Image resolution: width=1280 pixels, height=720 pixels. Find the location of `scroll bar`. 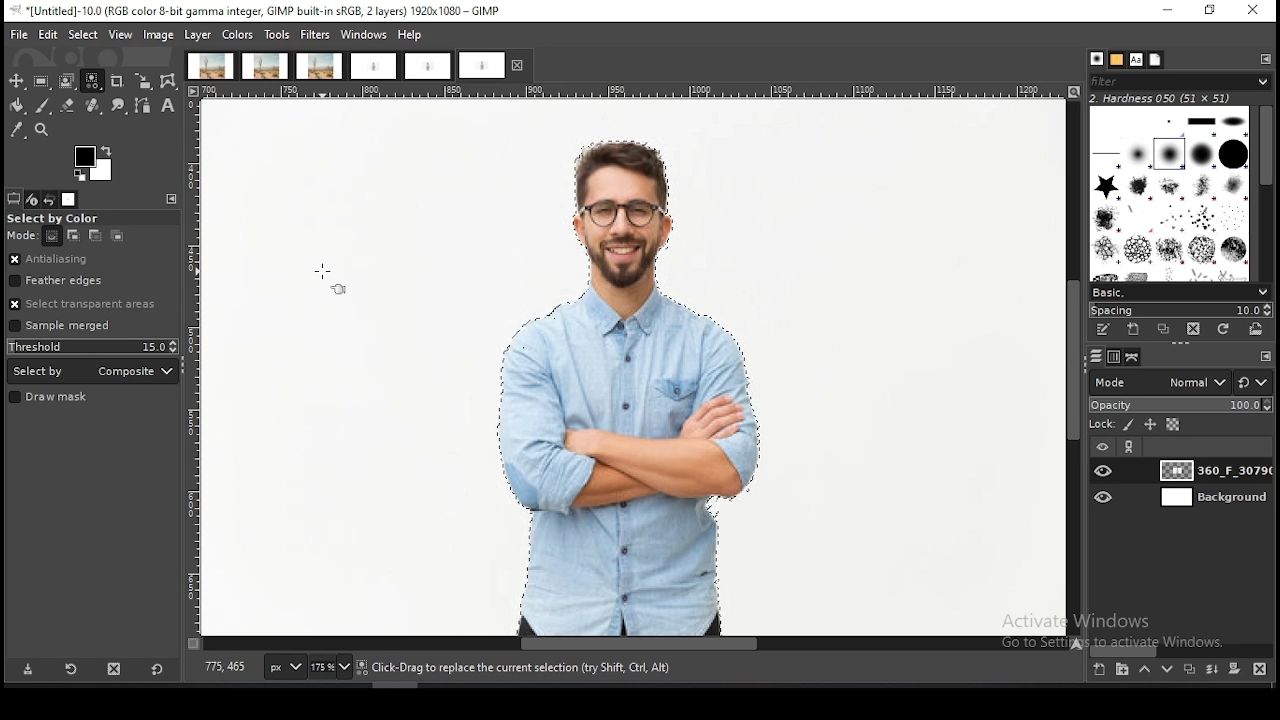

scroll bar is located at coordinates (1264, 194).